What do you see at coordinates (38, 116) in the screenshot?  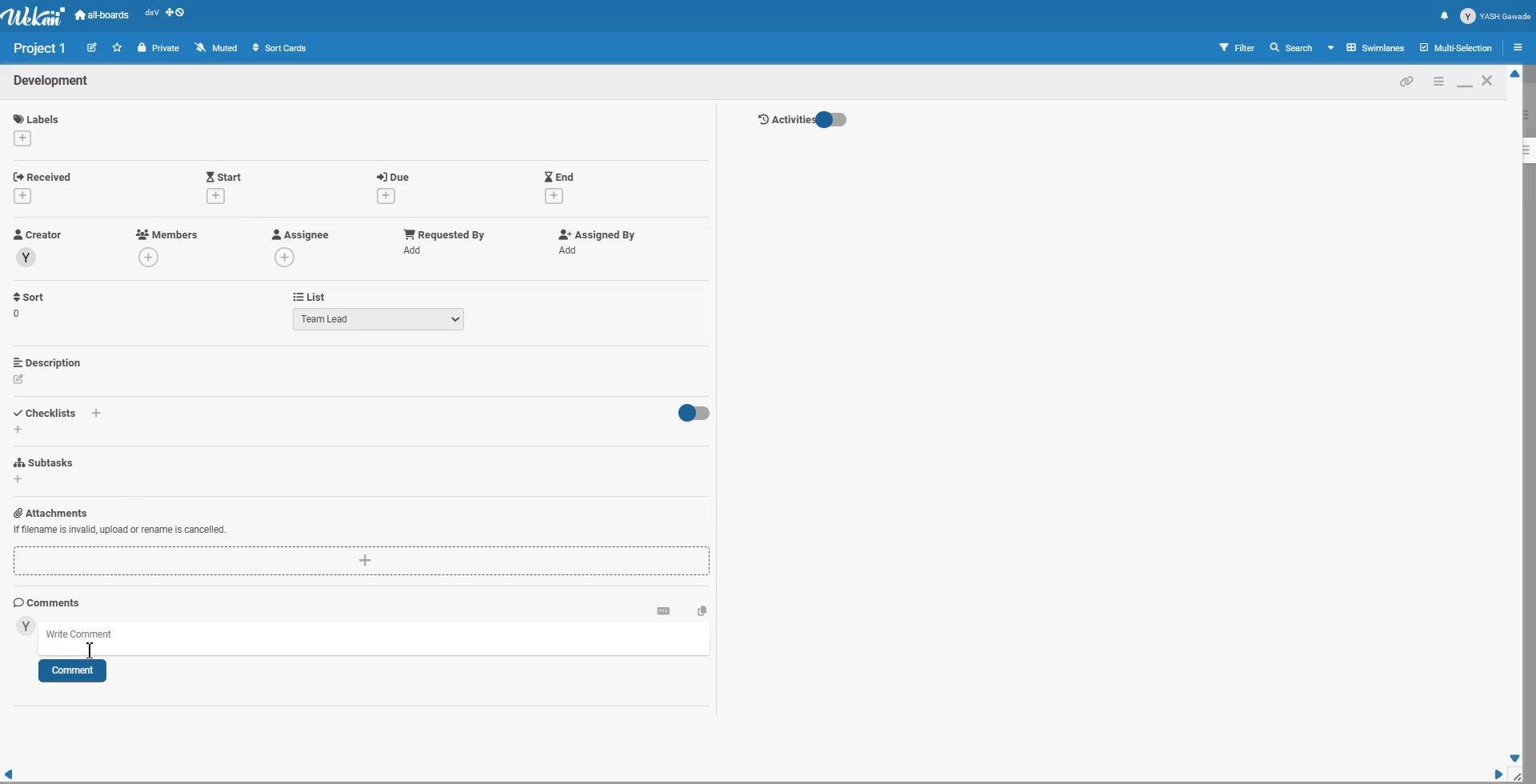 I see `Add Labels` at bounding box center [38, 116].